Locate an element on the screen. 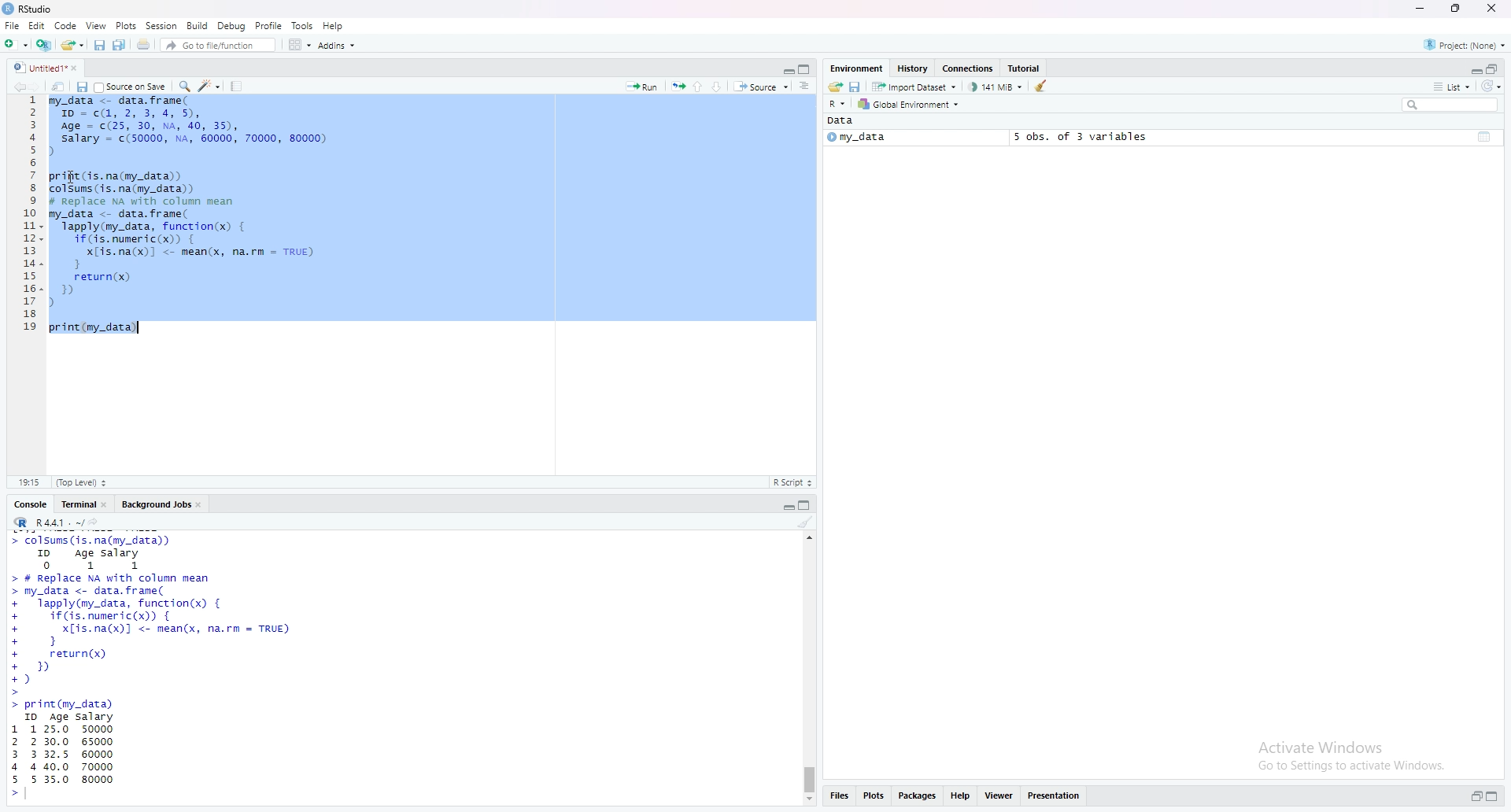 The image size is (1511, 812). Rstudio is located at coordinates (29, 9).